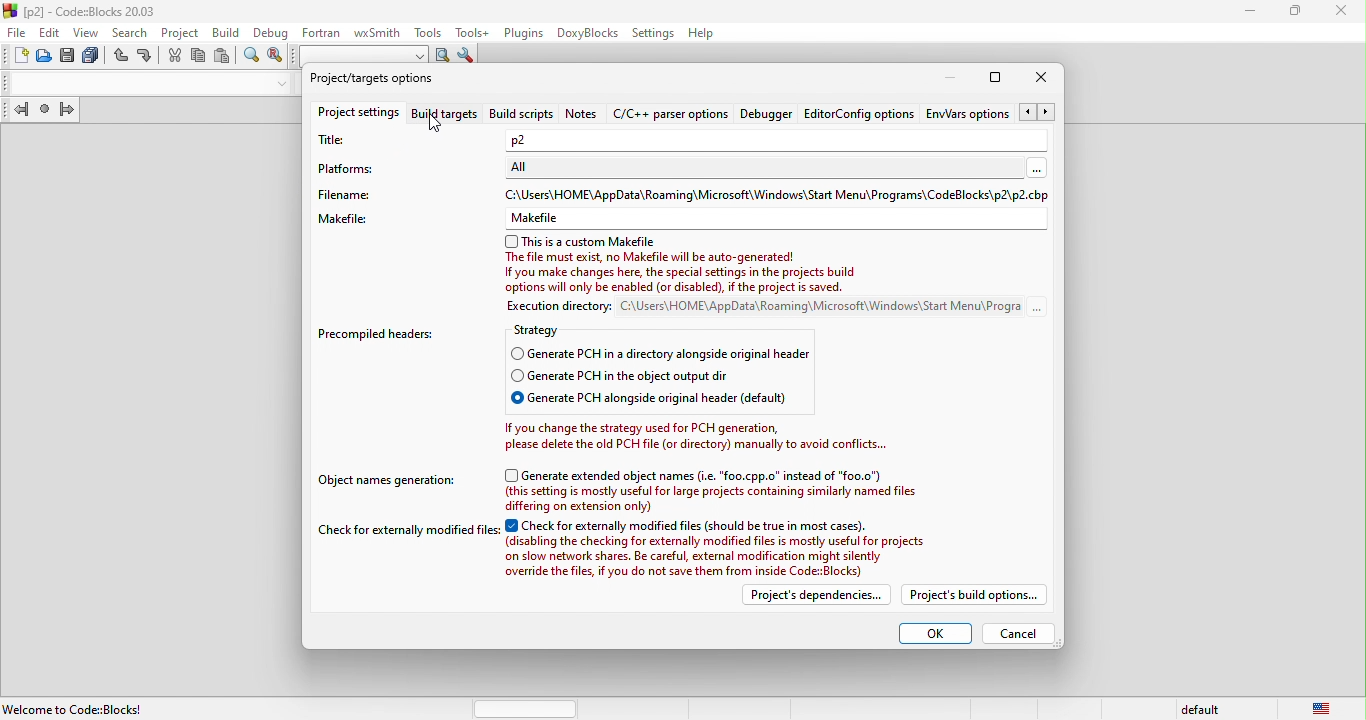 The height and width of the screenshot is (720, 1366). Describe the element at coordinates (252, 58) in the screenshot. I see `find` at that location.